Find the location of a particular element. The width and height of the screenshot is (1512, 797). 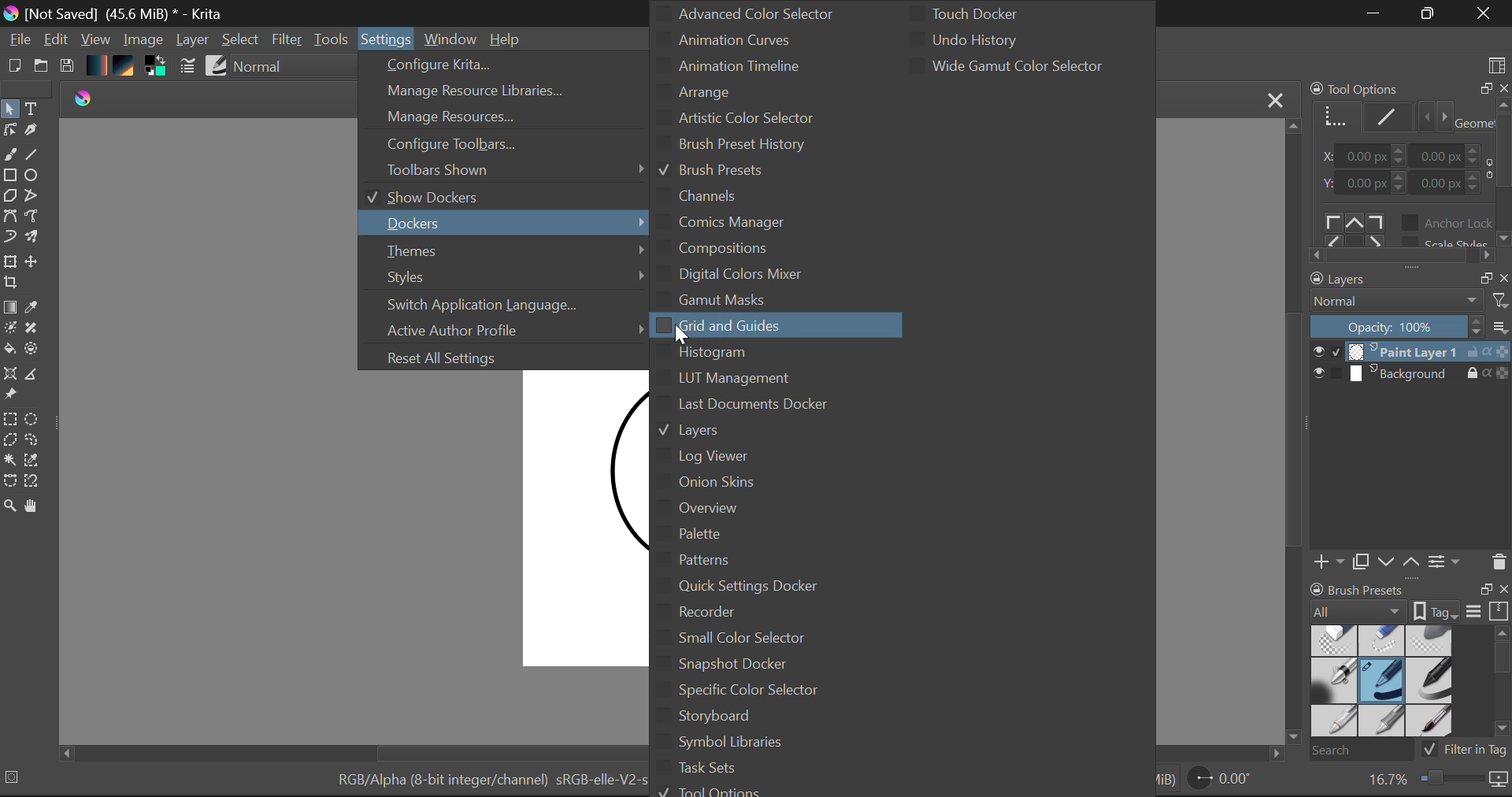

Onion Skins is located at coordinates (785, 482).